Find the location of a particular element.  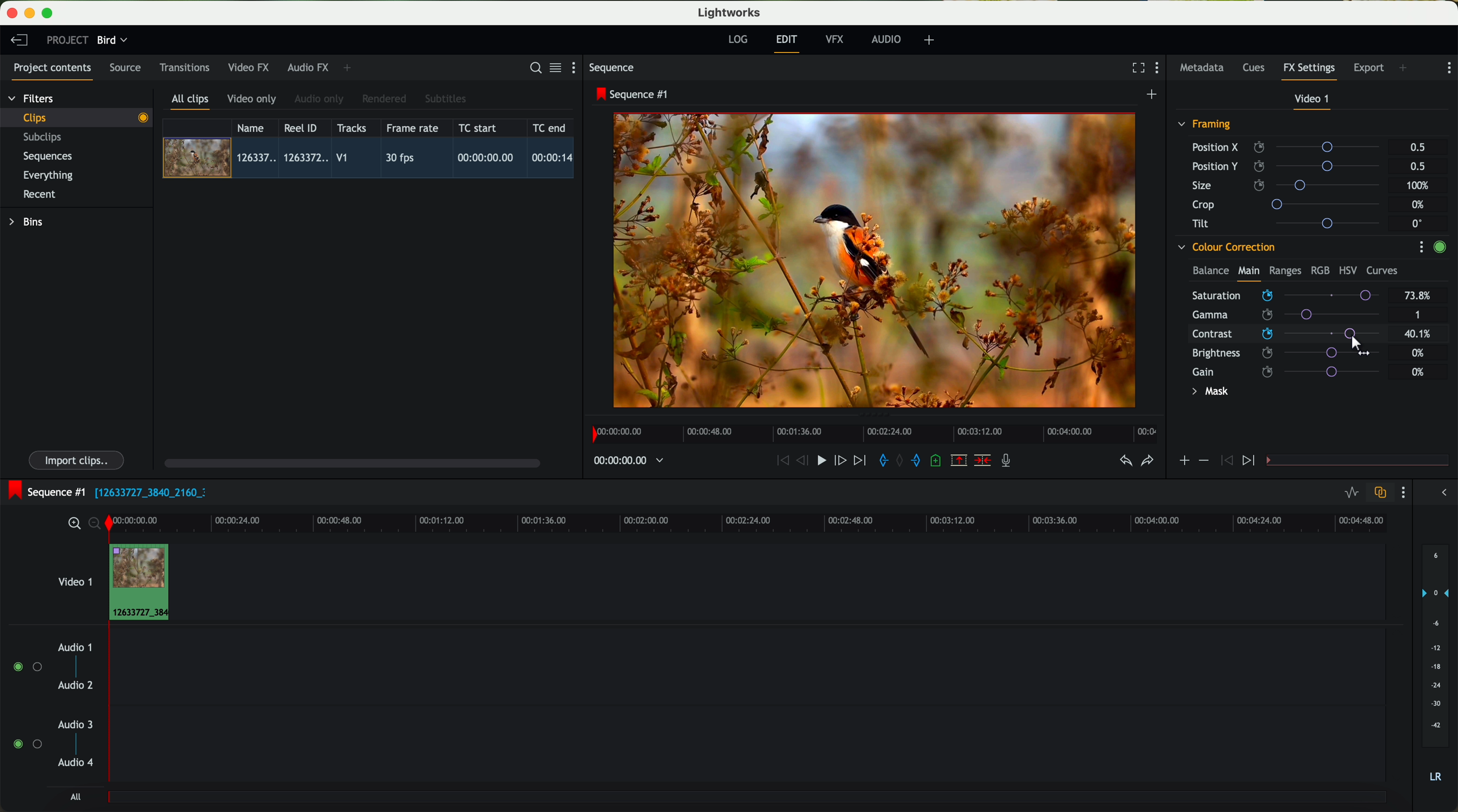

project is located at coordinates (67, 40).